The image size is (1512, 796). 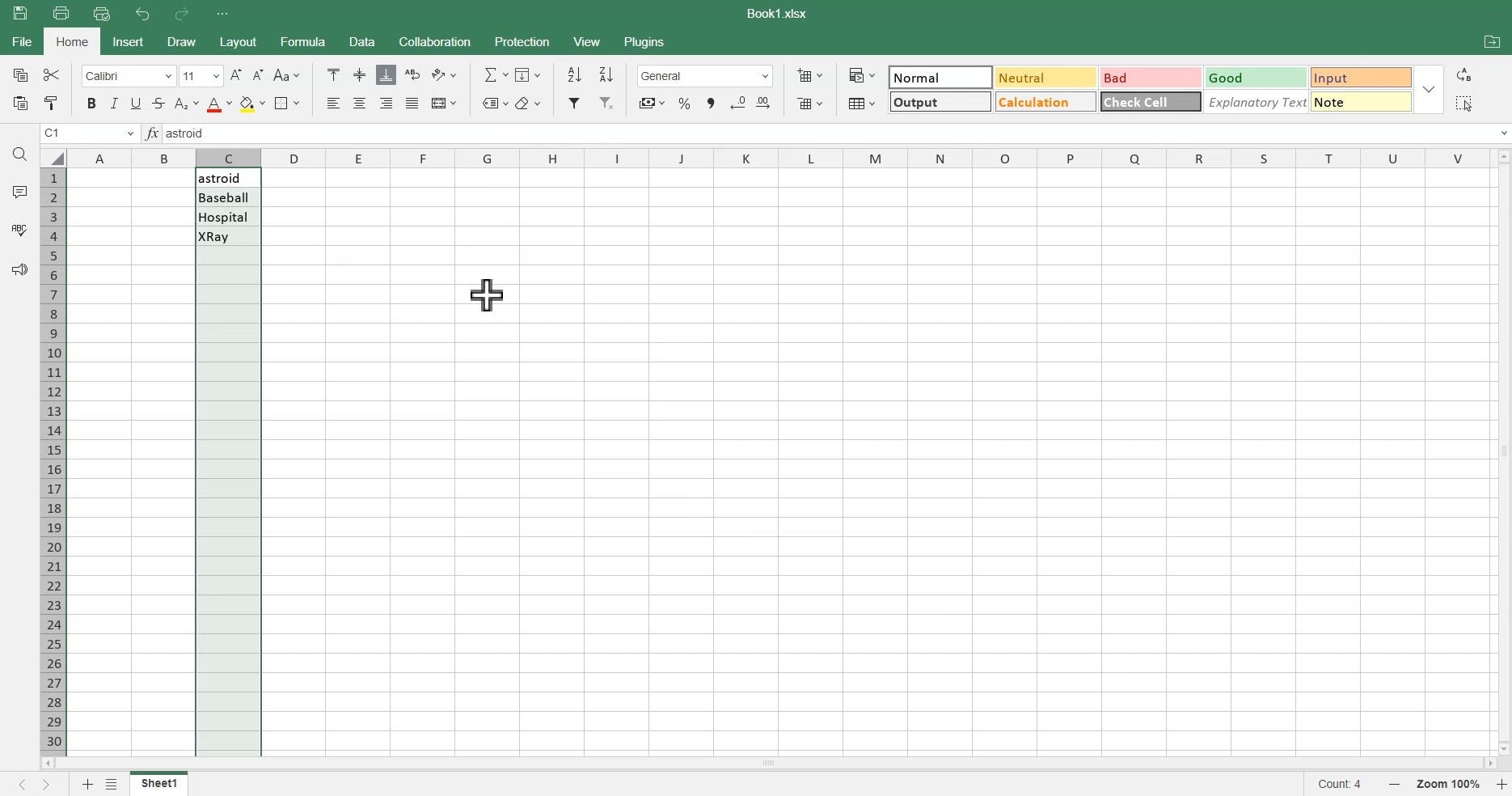 What do you see at coordinates (1151, 105) in the screenshot?
I see `Check cell` at bounding box center [1151, 105].